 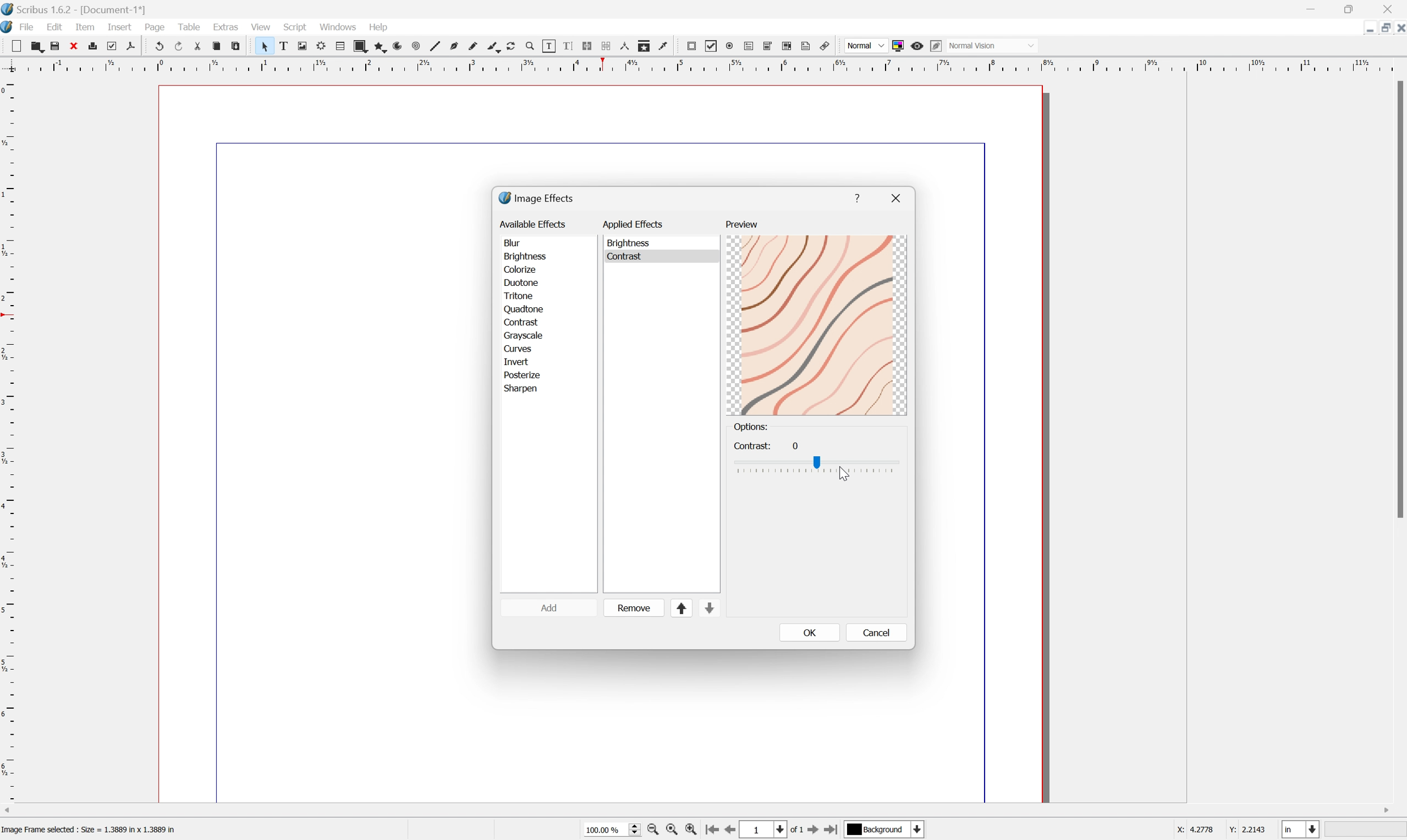 I want to click on preview, so click(x=742, y=226).